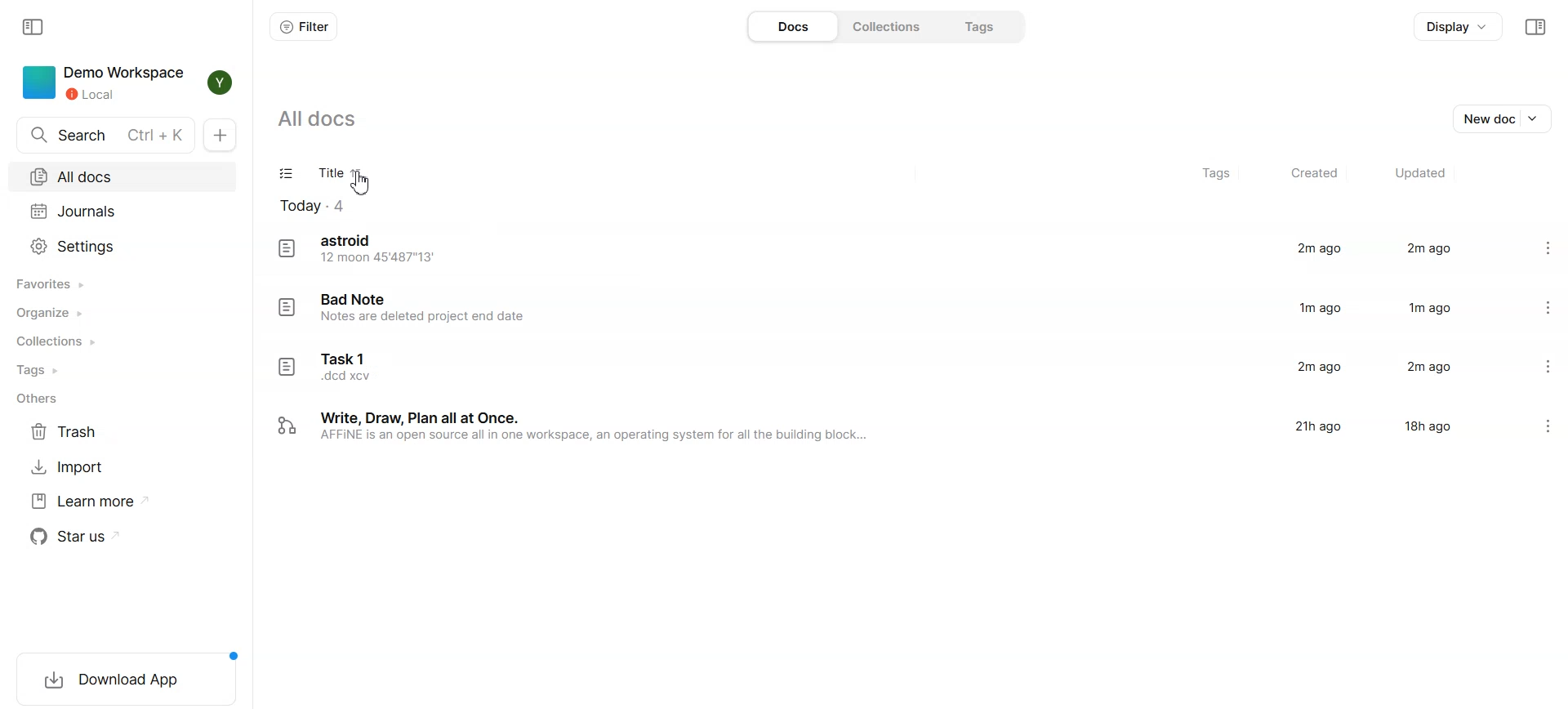 Image resolution: width=1568 pixels, height=709 pixels. What do you see at coordinates (69, 370) in the screenshot?
I see `Tags` at bounding box center [69, 370].